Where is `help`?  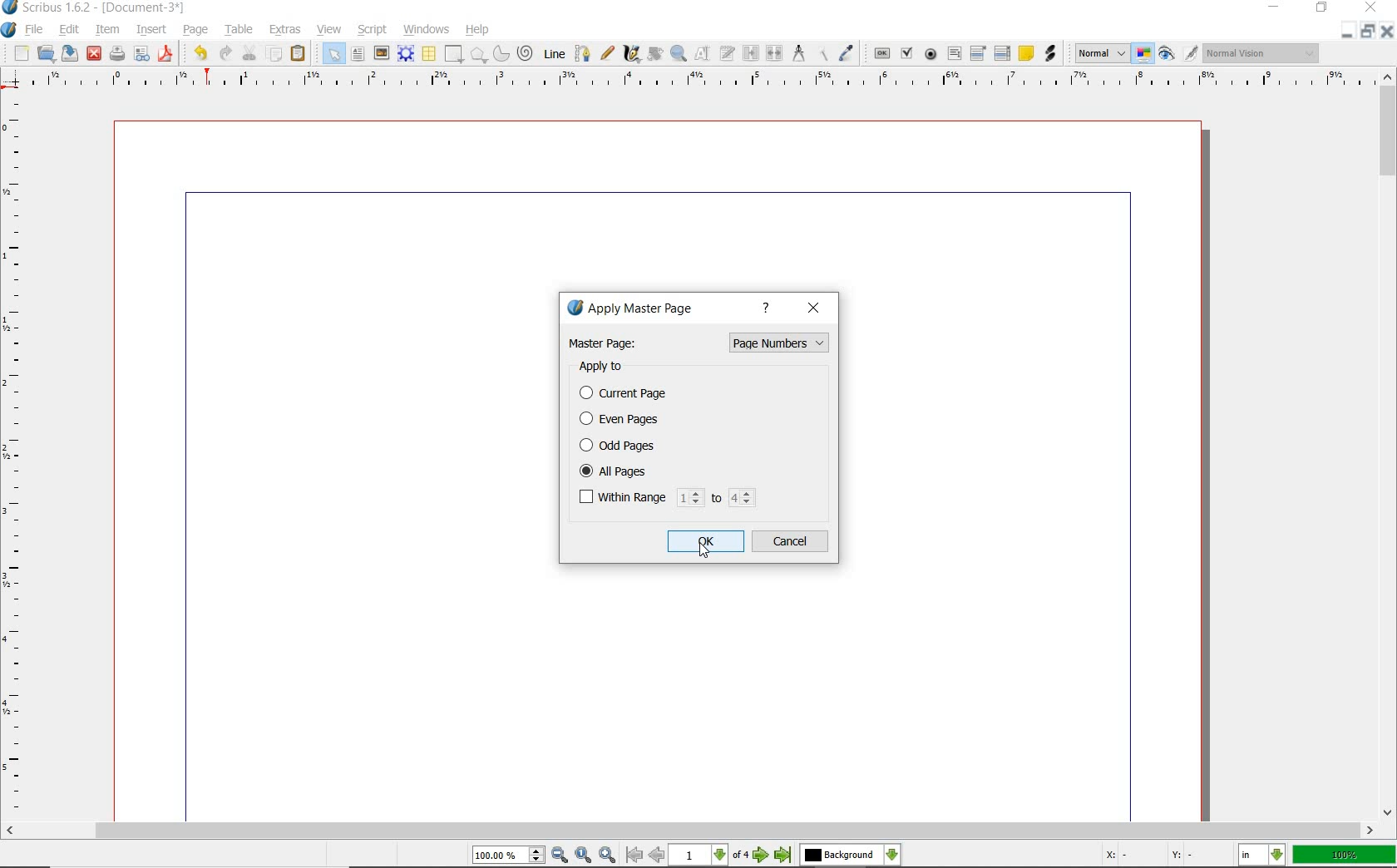 help is located at coordinates (476, 30).